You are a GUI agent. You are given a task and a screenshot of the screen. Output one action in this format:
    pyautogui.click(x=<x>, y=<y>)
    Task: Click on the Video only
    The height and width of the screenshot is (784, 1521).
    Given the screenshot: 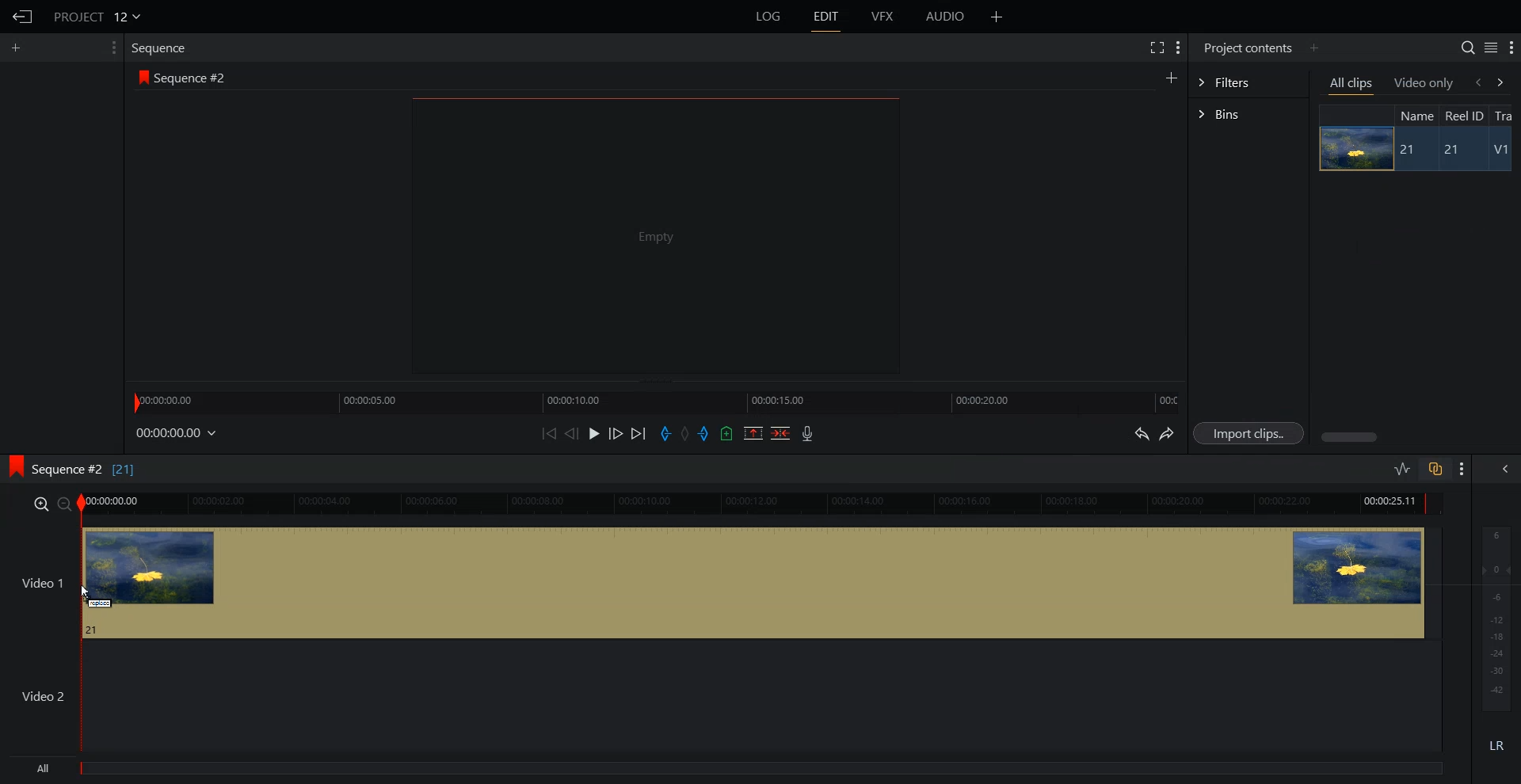 What is the action you would take?
    pyautogui.click(x=1424, y=83)
    